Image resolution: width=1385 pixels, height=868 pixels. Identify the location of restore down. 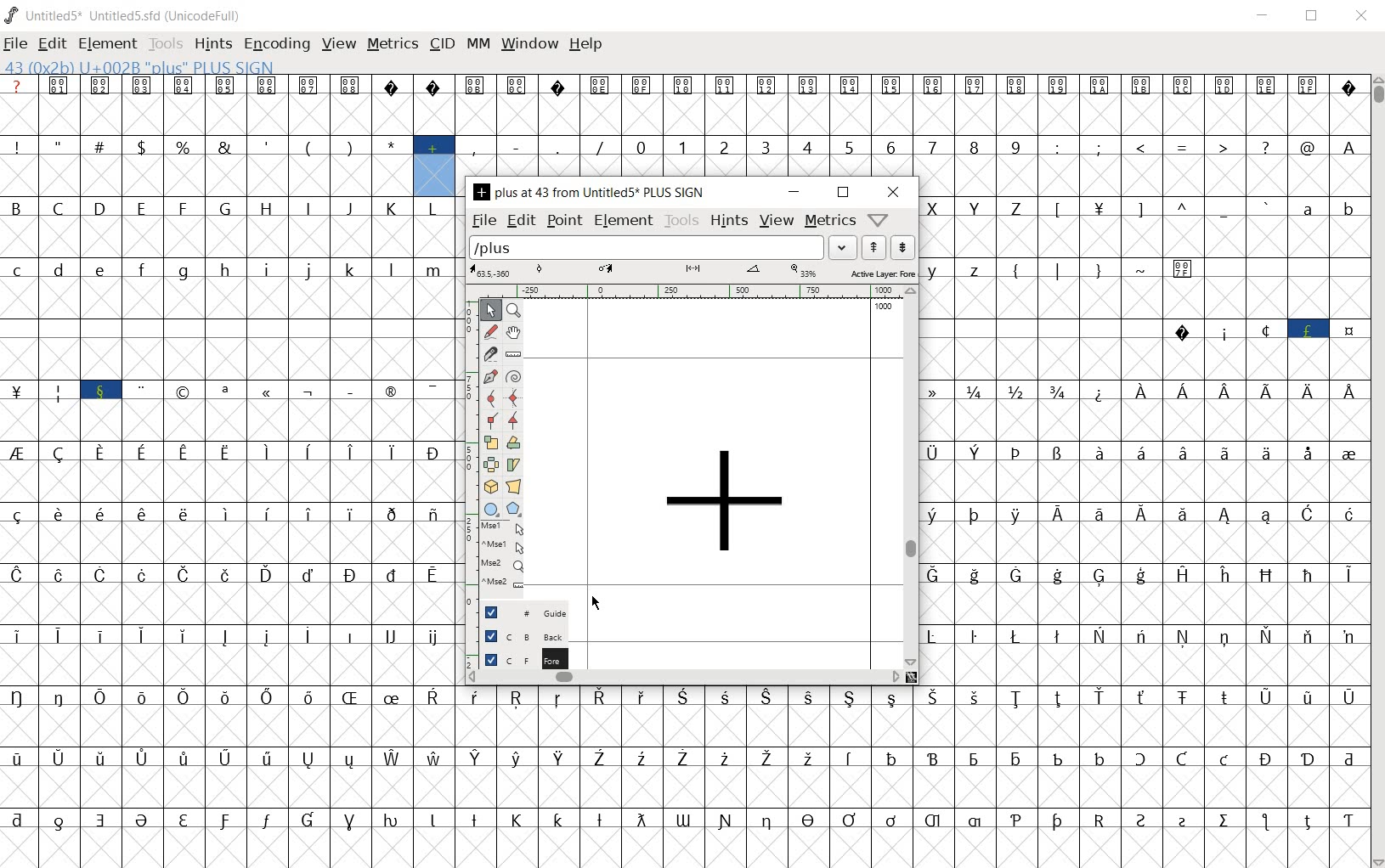
(1314, 16).